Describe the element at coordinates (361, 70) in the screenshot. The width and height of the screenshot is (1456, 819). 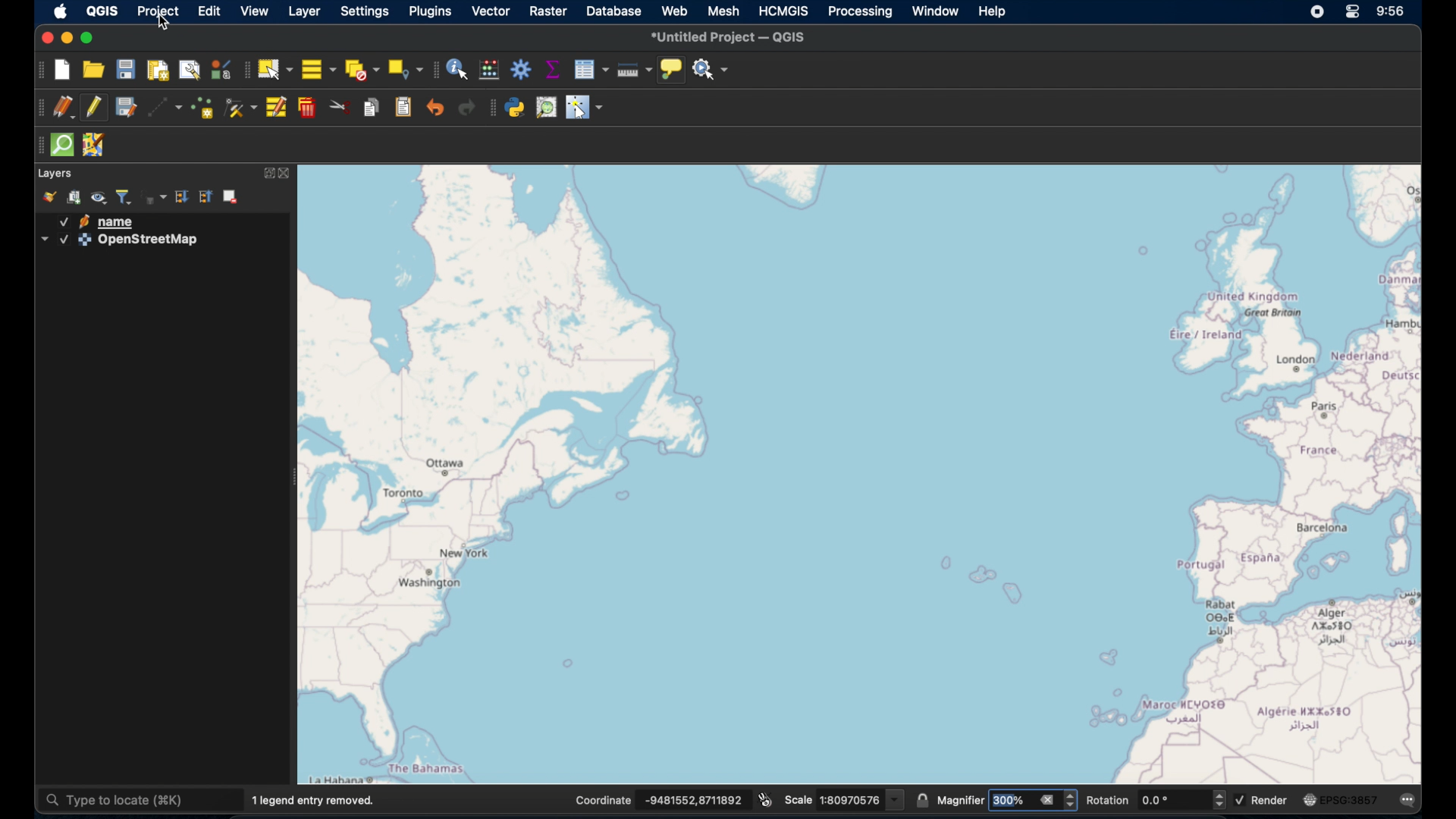
I see `deselect features` at that location.